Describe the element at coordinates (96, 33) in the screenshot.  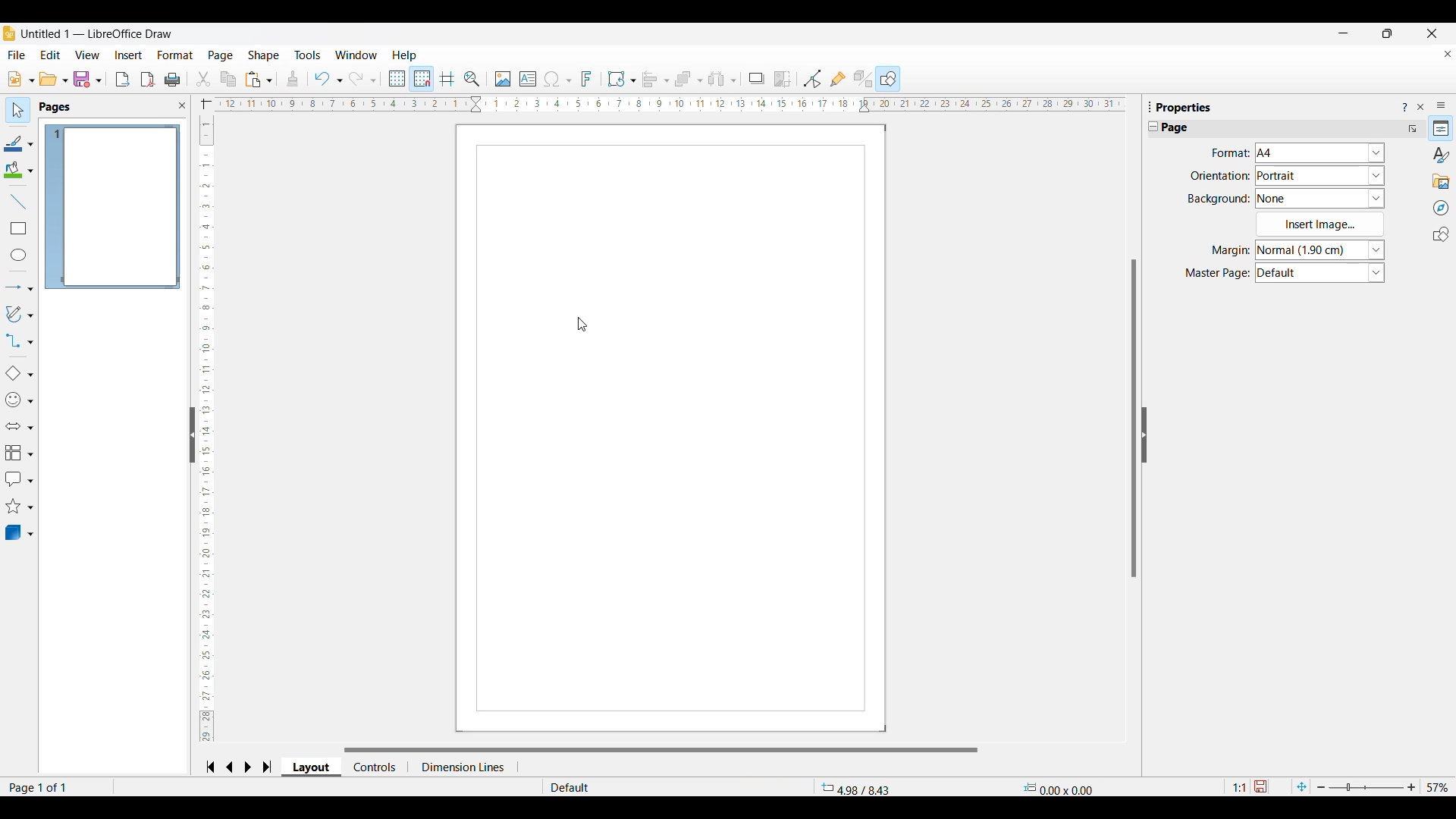
I see `Untitled 1 - Libreoffice draw` at that location.